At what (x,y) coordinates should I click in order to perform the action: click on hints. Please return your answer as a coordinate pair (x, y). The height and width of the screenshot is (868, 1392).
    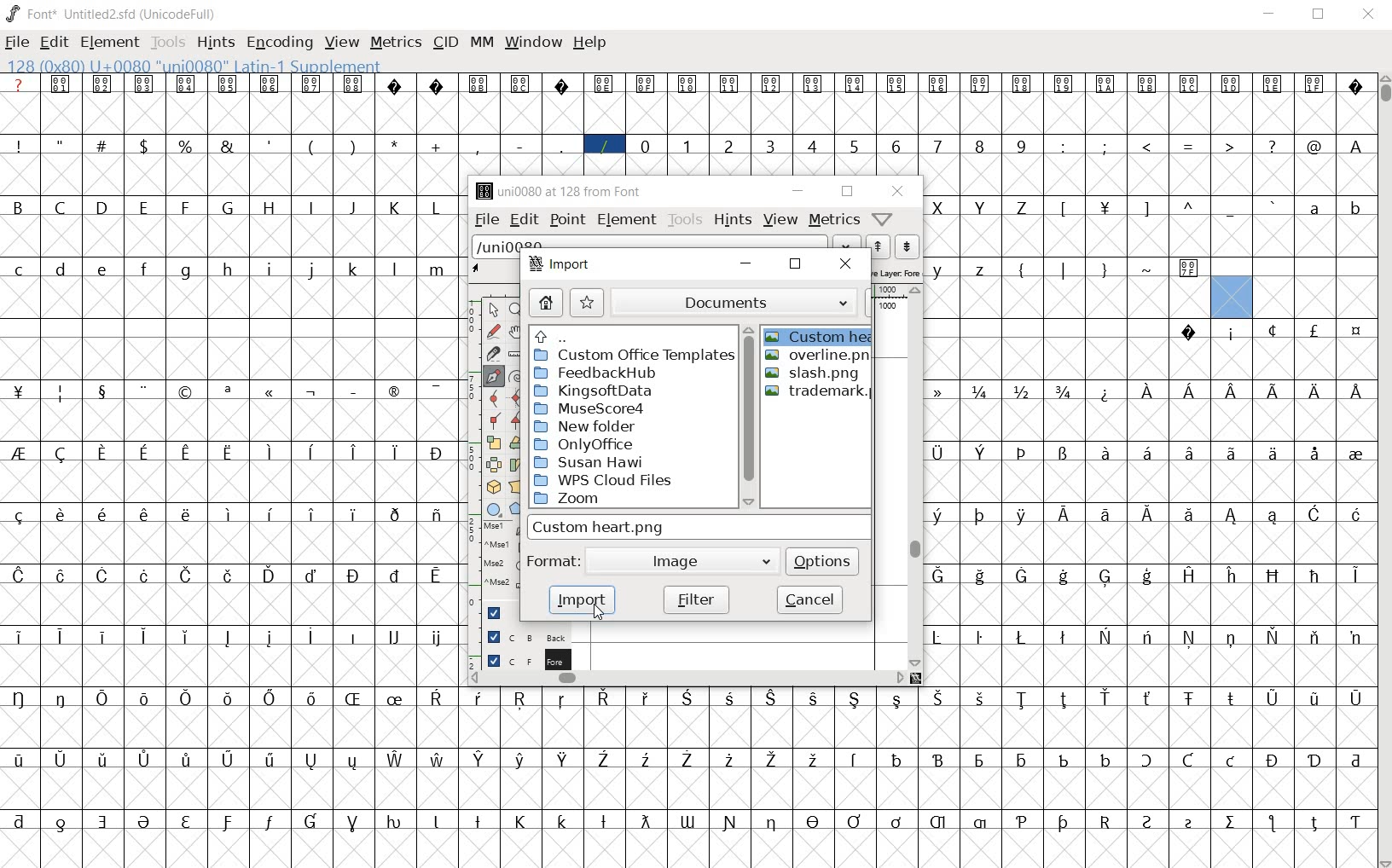
    Looking at the image, I should click on (730, 219).